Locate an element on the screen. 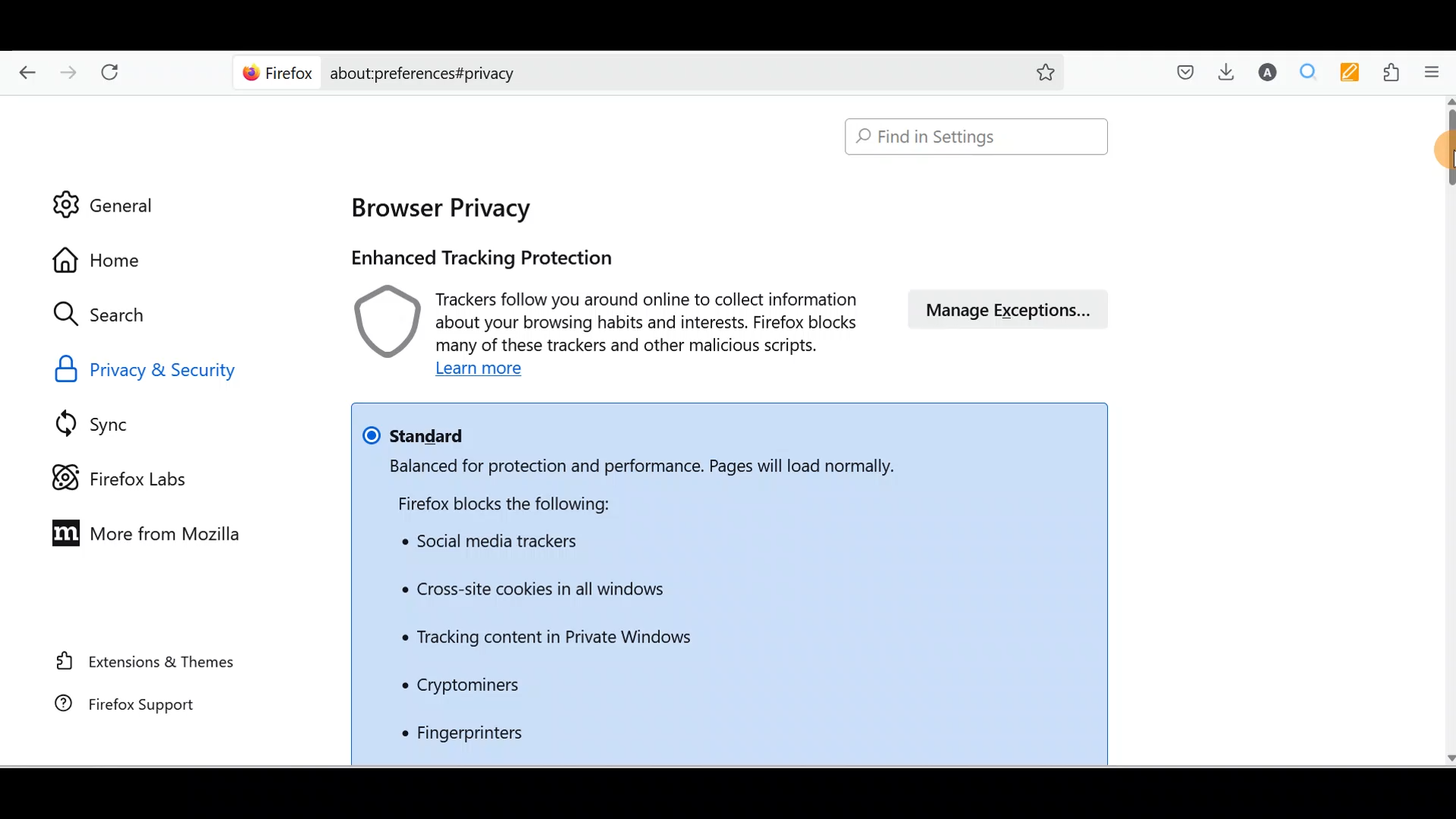 Image resolution: width=1456 pixels, height=819 pixels. « Social media trackers is located at coordinates (495, 544).